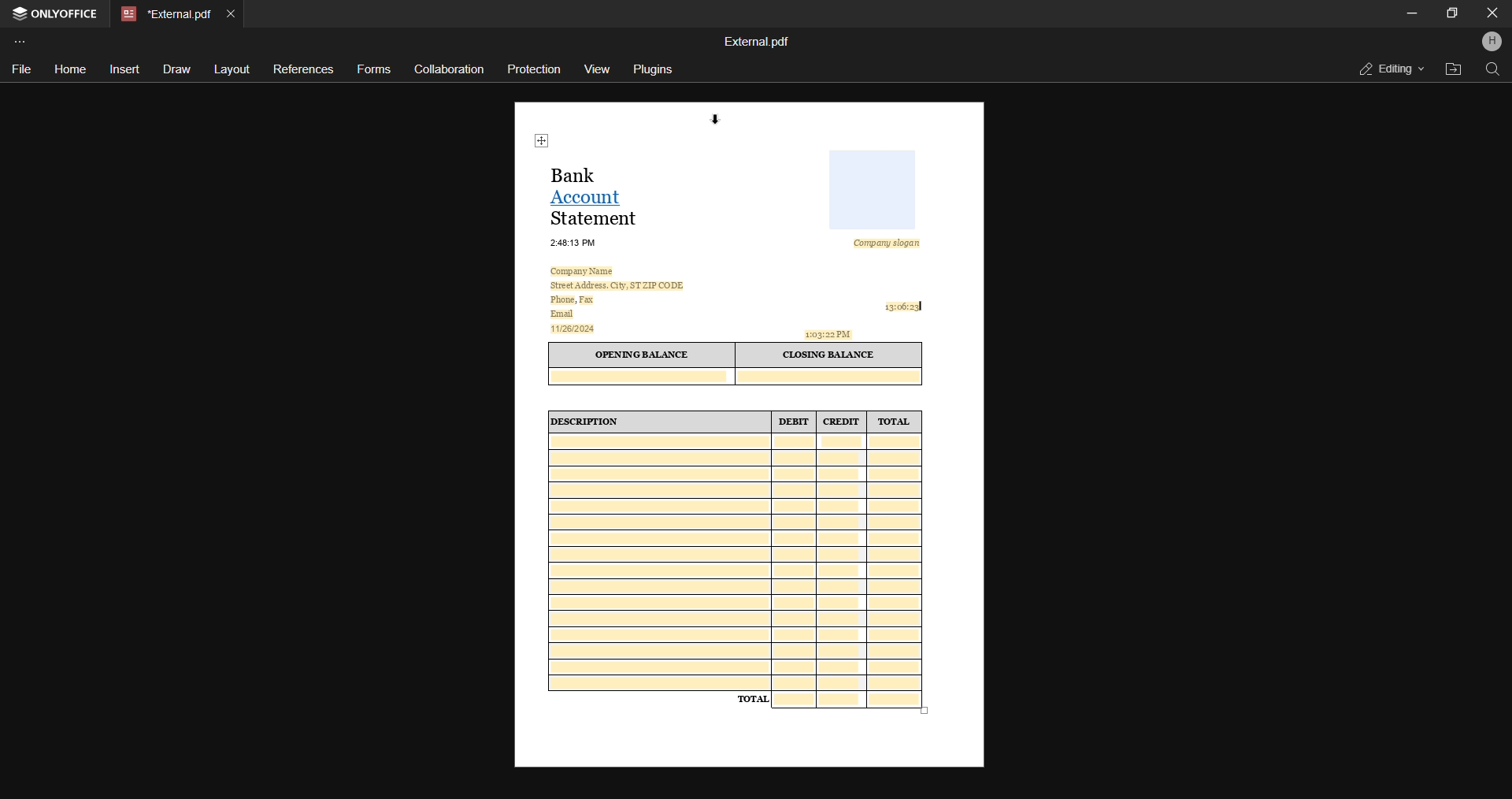  What do you see at coordinates (57, 15) in the screenshot?
I see `OnlyOffice application tab` at bounding box center [57, 15].